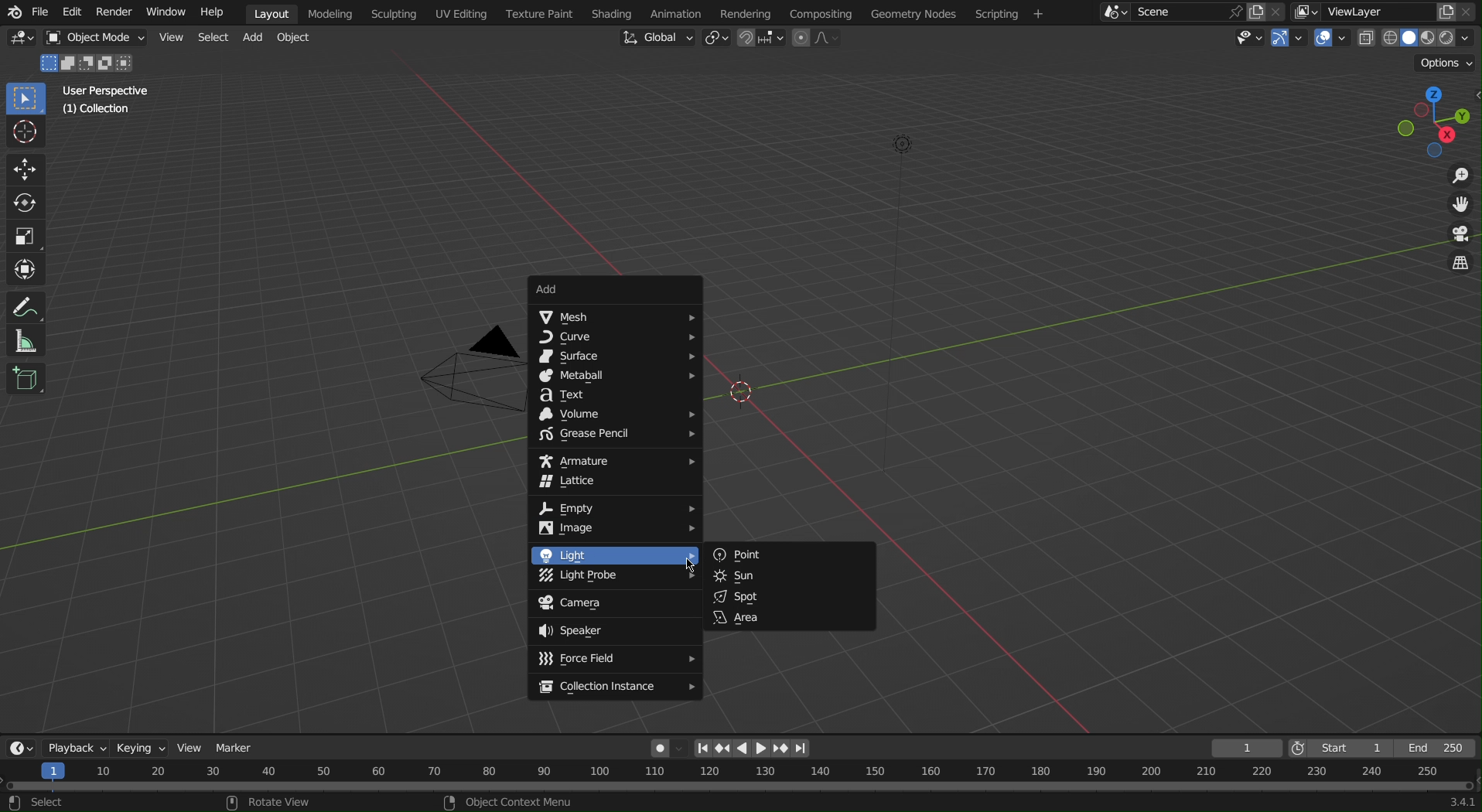  Describe the element at coordinates (42, 14) in the screenshot. I see `File` at that location.